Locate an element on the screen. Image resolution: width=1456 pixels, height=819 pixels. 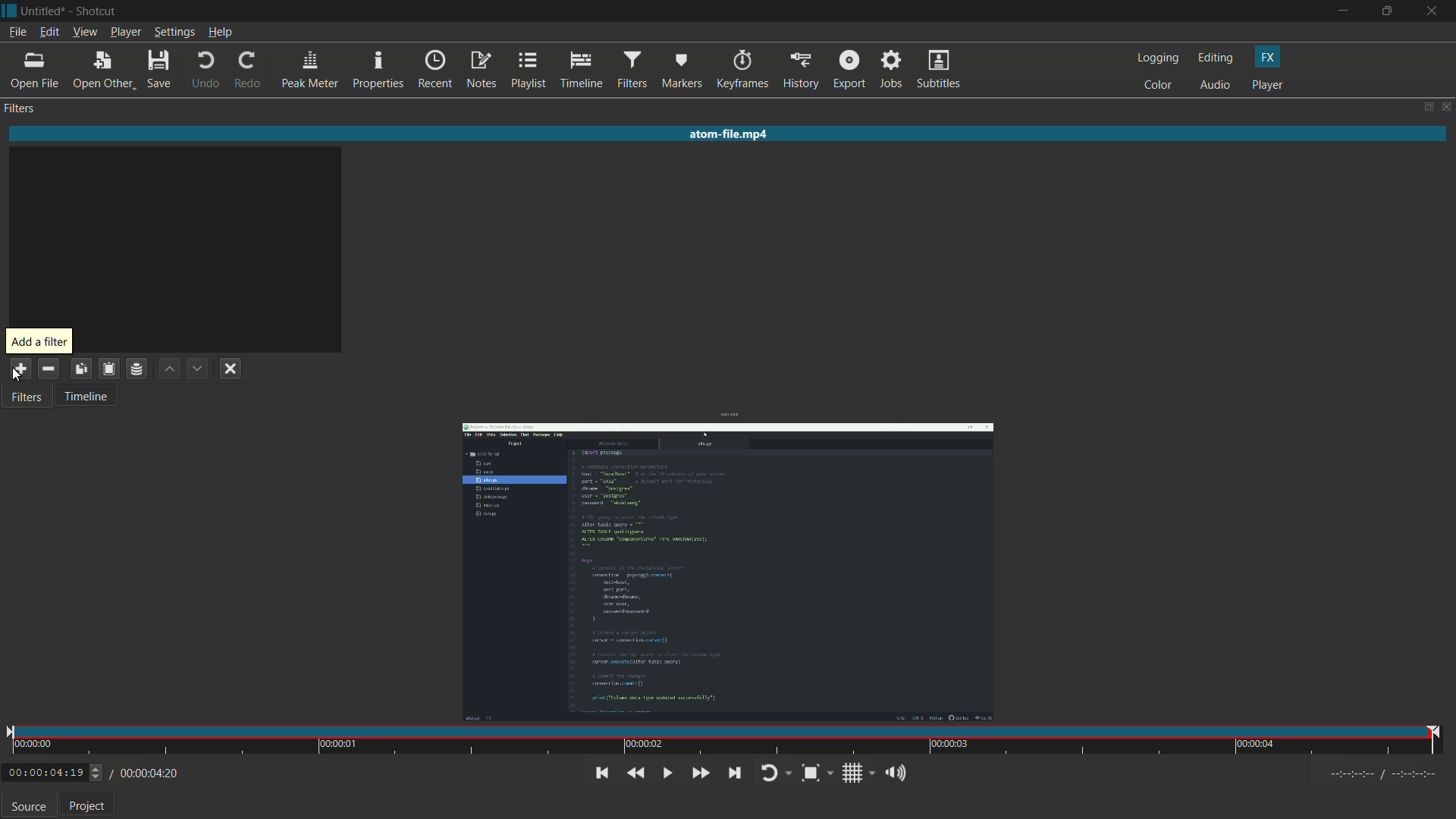
move filter down is located at coordinates (199, 369).